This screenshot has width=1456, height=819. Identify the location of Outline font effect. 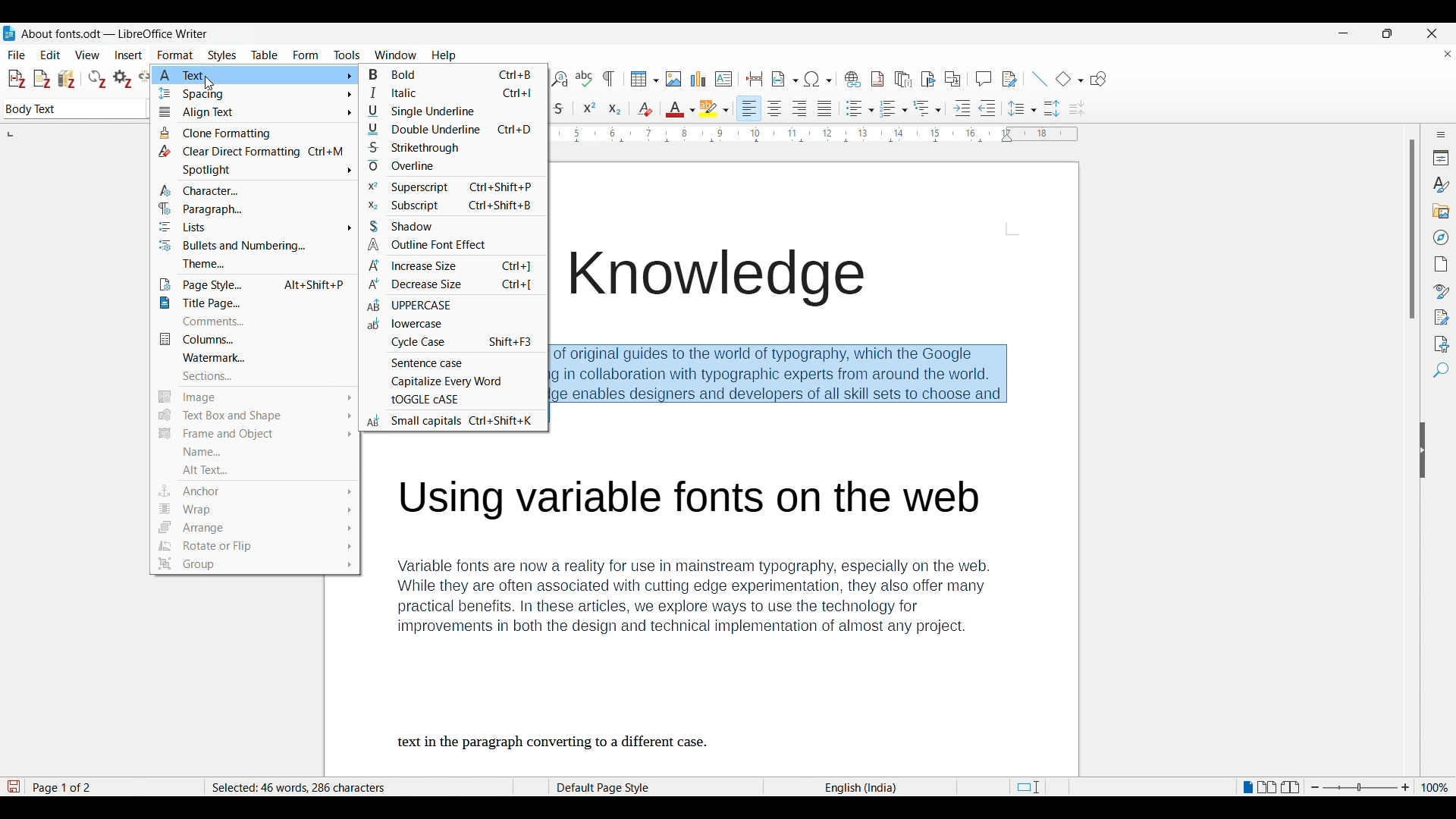
(454, 244).